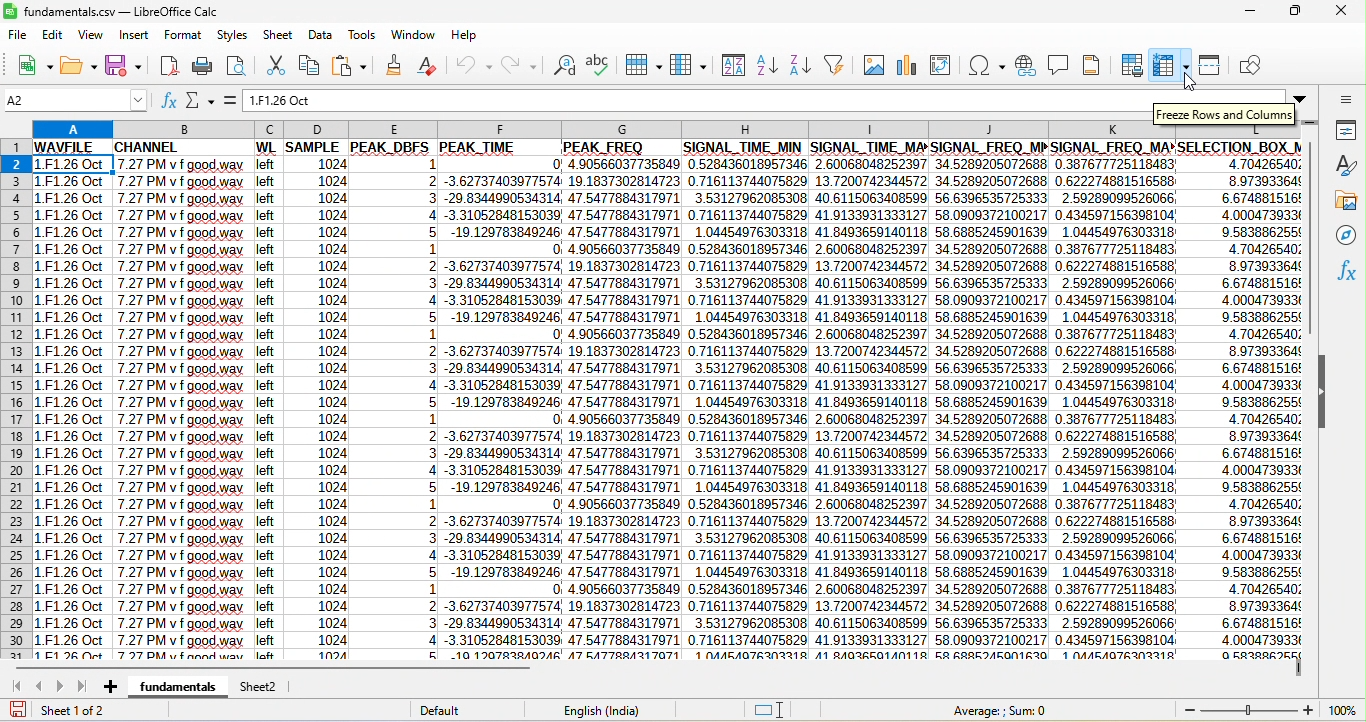  Describe the element at coordinates (1348, 276) in the screenshot. I see `function` at that location.